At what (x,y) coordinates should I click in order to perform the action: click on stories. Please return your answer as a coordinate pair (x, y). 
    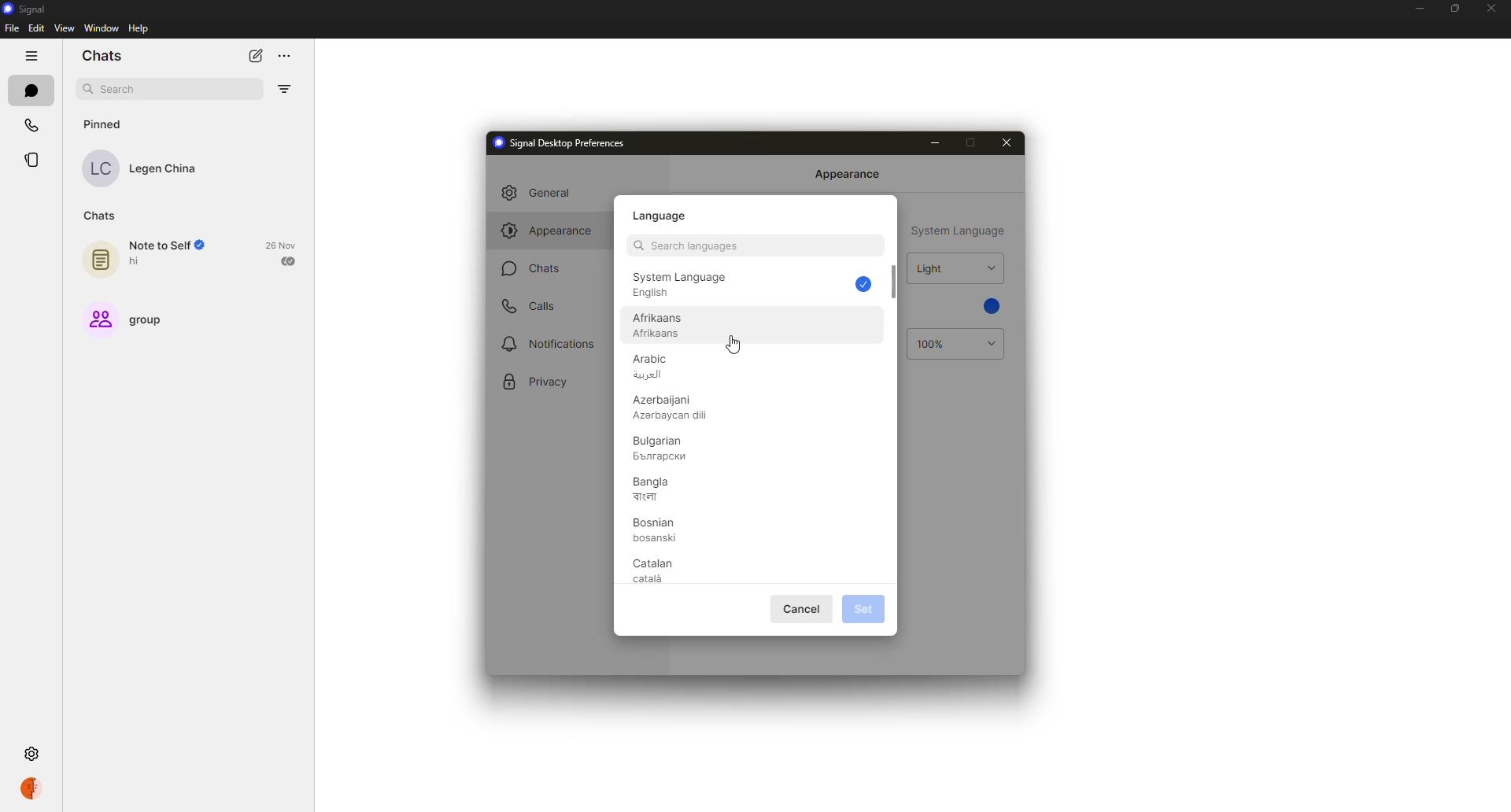
    Looking at the image, I should click on (34, 160).